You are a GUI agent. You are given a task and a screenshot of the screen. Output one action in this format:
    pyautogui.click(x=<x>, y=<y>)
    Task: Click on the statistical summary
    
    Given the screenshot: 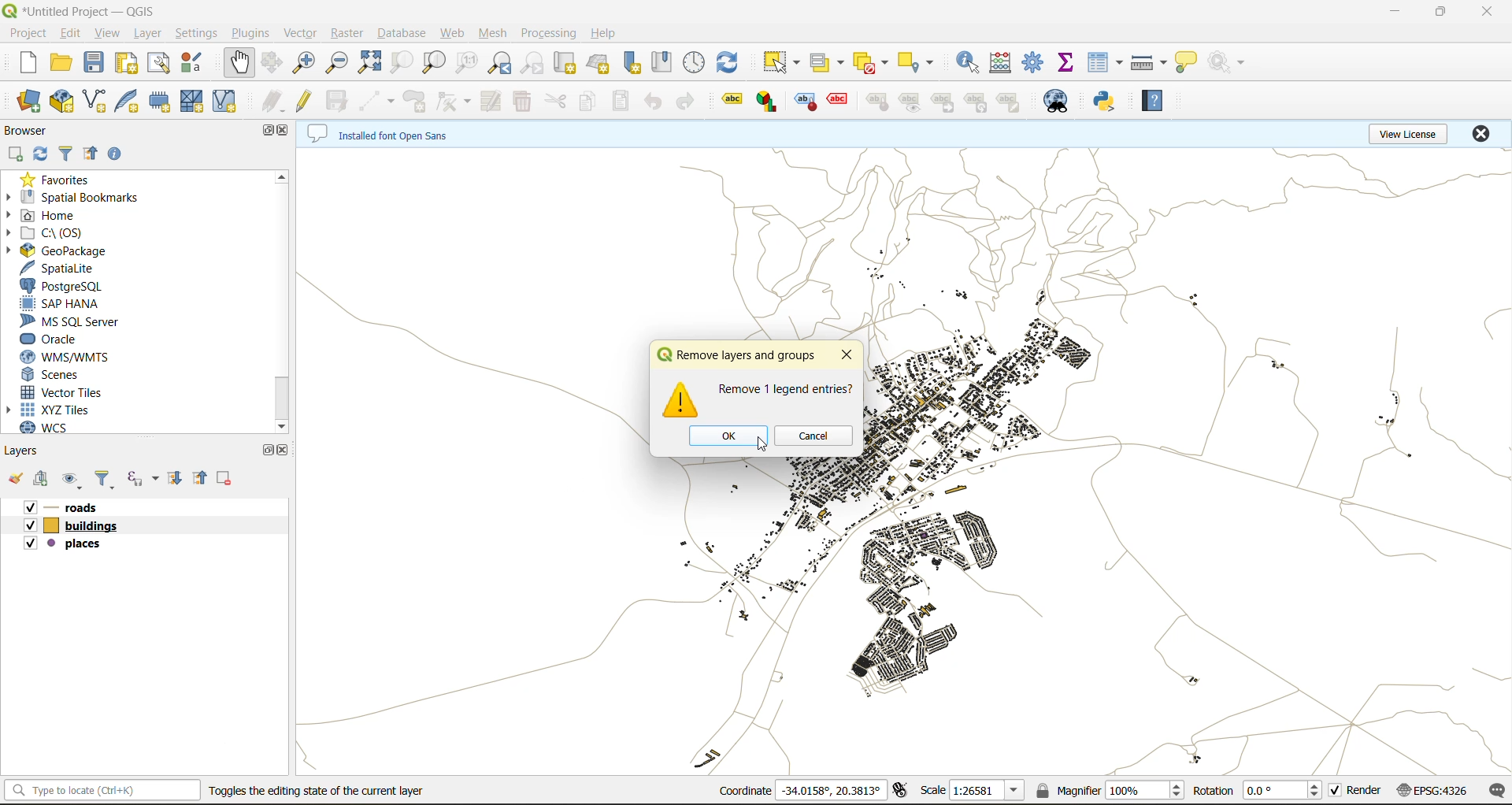 What is the action you would take?
    pyautogui.click(x=1071, y=62)
    